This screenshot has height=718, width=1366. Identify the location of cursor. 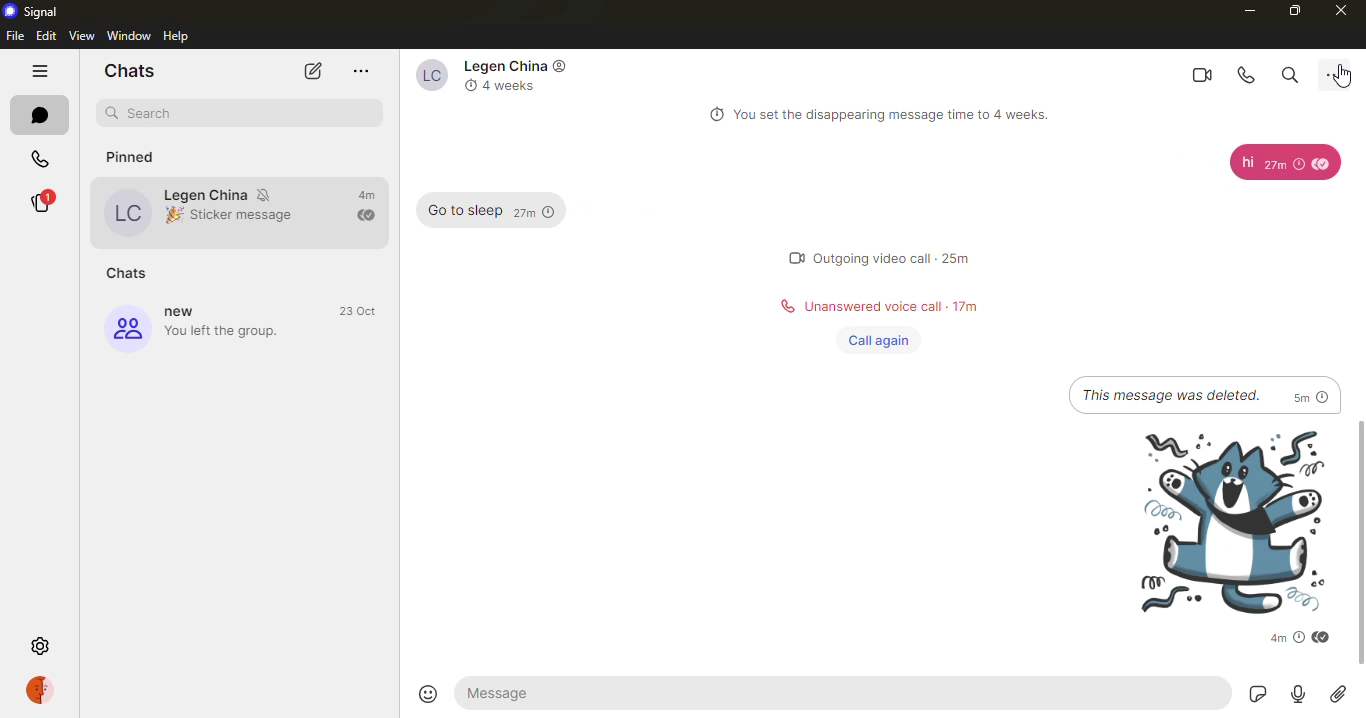
(1339, 76).